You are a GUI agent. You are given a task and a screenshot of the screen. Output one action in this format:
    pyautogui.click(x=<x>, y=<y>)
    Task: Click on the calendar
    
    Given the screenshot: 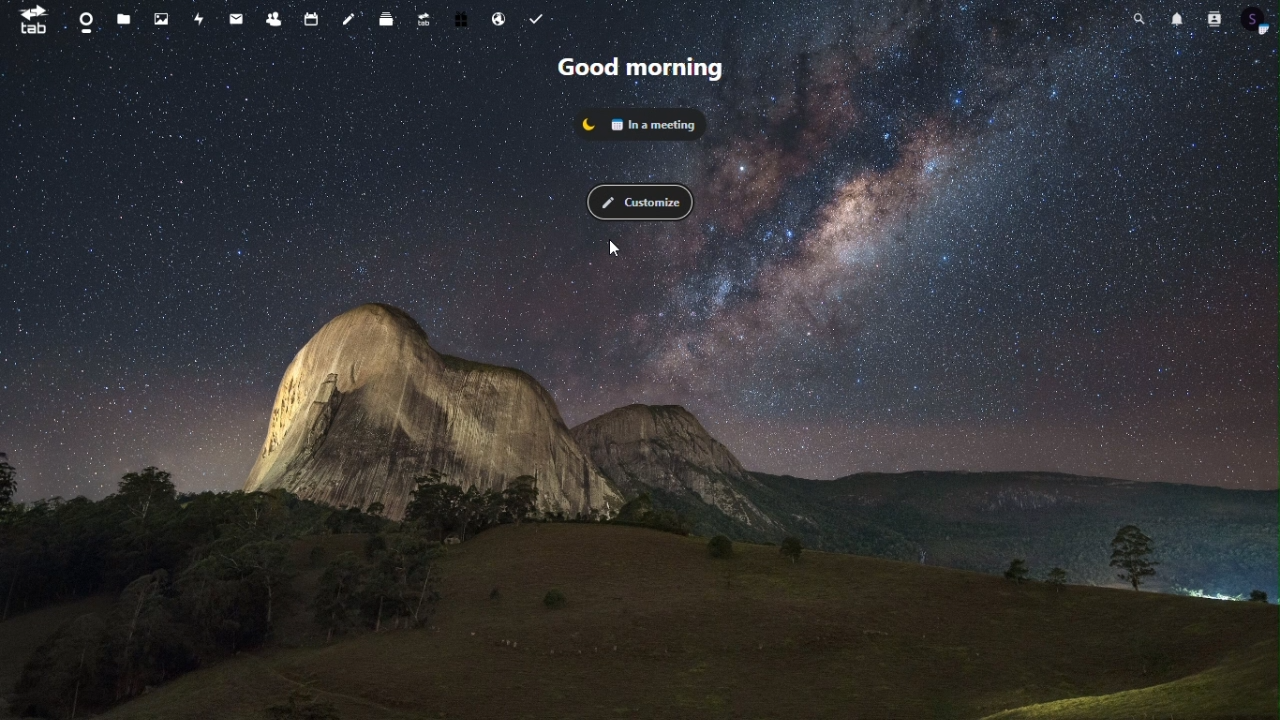 What is the action you would take?
    pyautogui.click(x=309, y=20)
    